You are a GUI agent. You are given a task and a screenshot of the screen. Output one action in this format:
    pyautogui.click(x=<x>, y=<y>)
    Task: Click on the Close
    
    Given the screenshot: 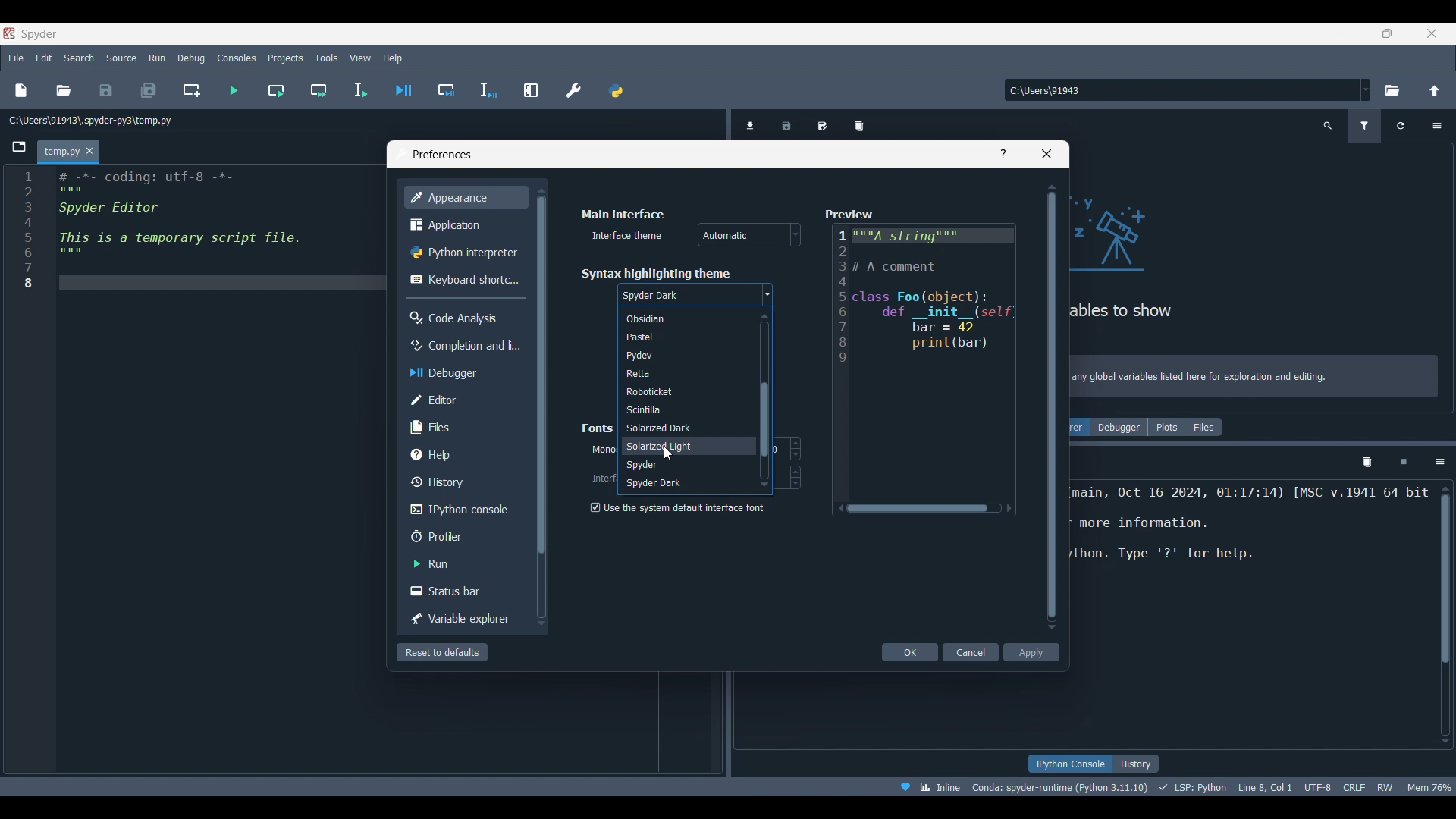 What is the action you would take?
    pyautogui.click(x=1046, y=154)
    